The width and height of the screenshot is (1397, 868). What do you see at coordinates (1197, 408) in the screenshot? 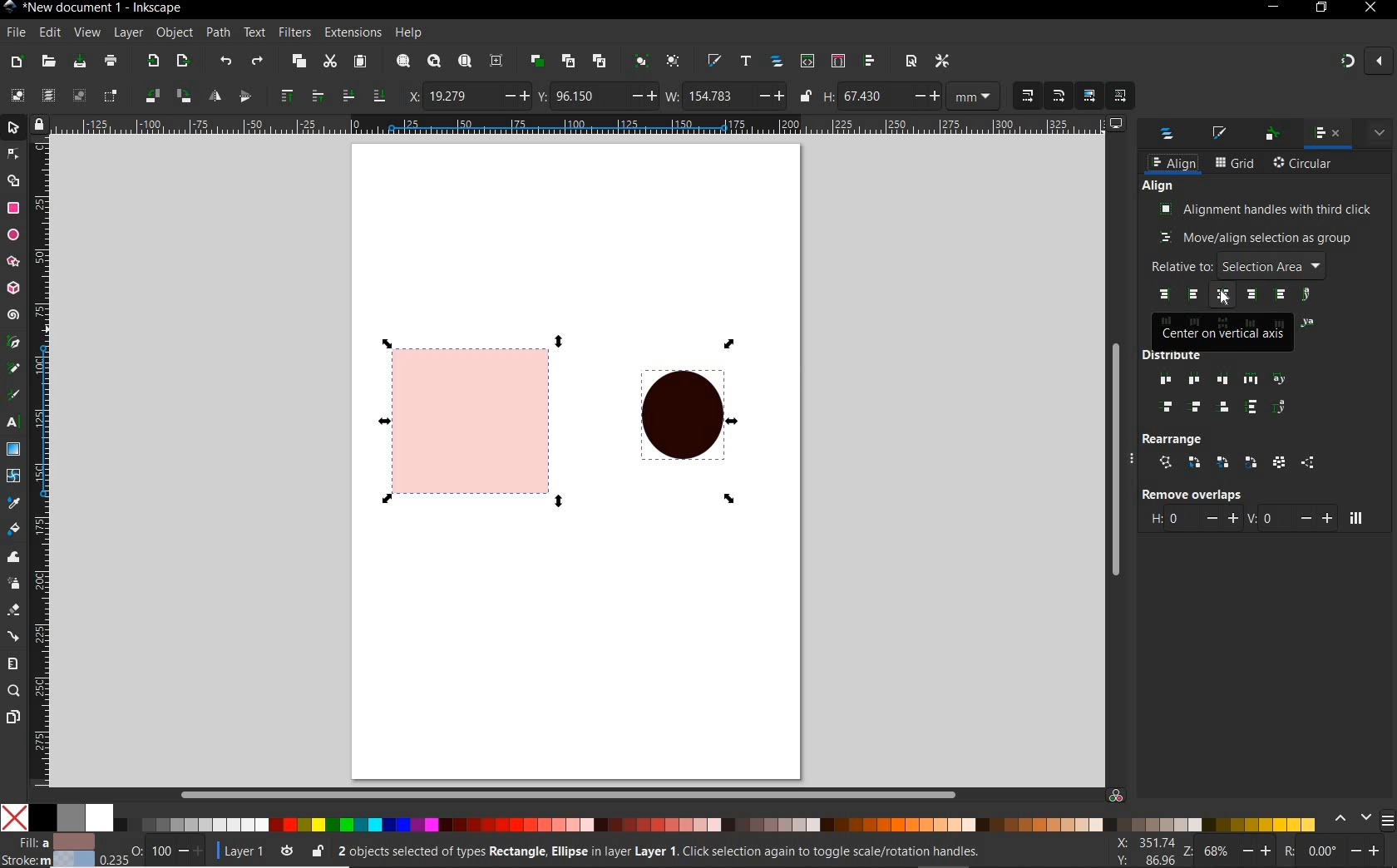
I see `EVEN VERTICAL CENTERS` at bounding box center [1197, 408].